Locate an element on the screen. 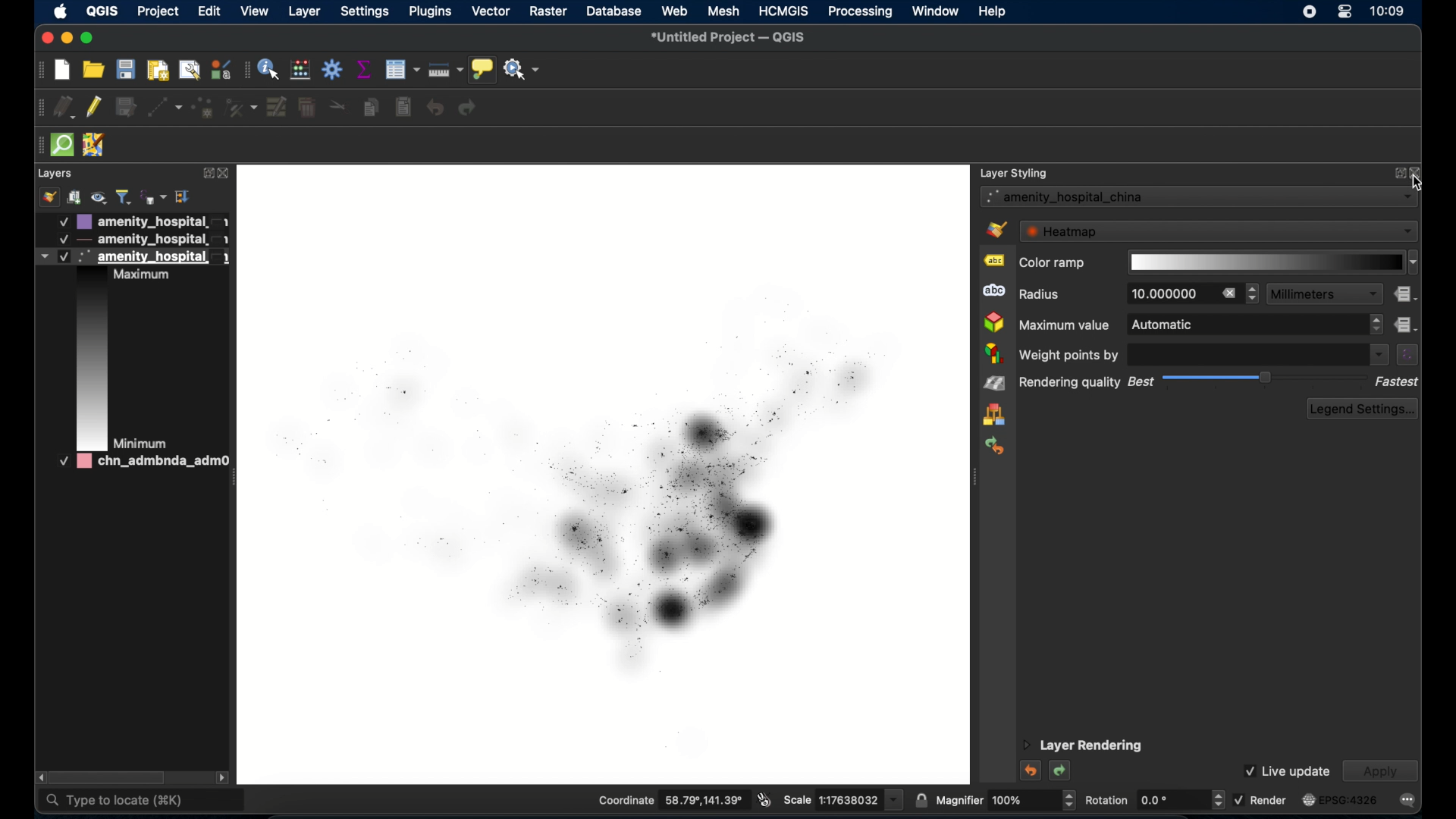 Image resolution: width=1456 pixels, height=819 pixels. rendering quality is located at coordinates (1071, 384).